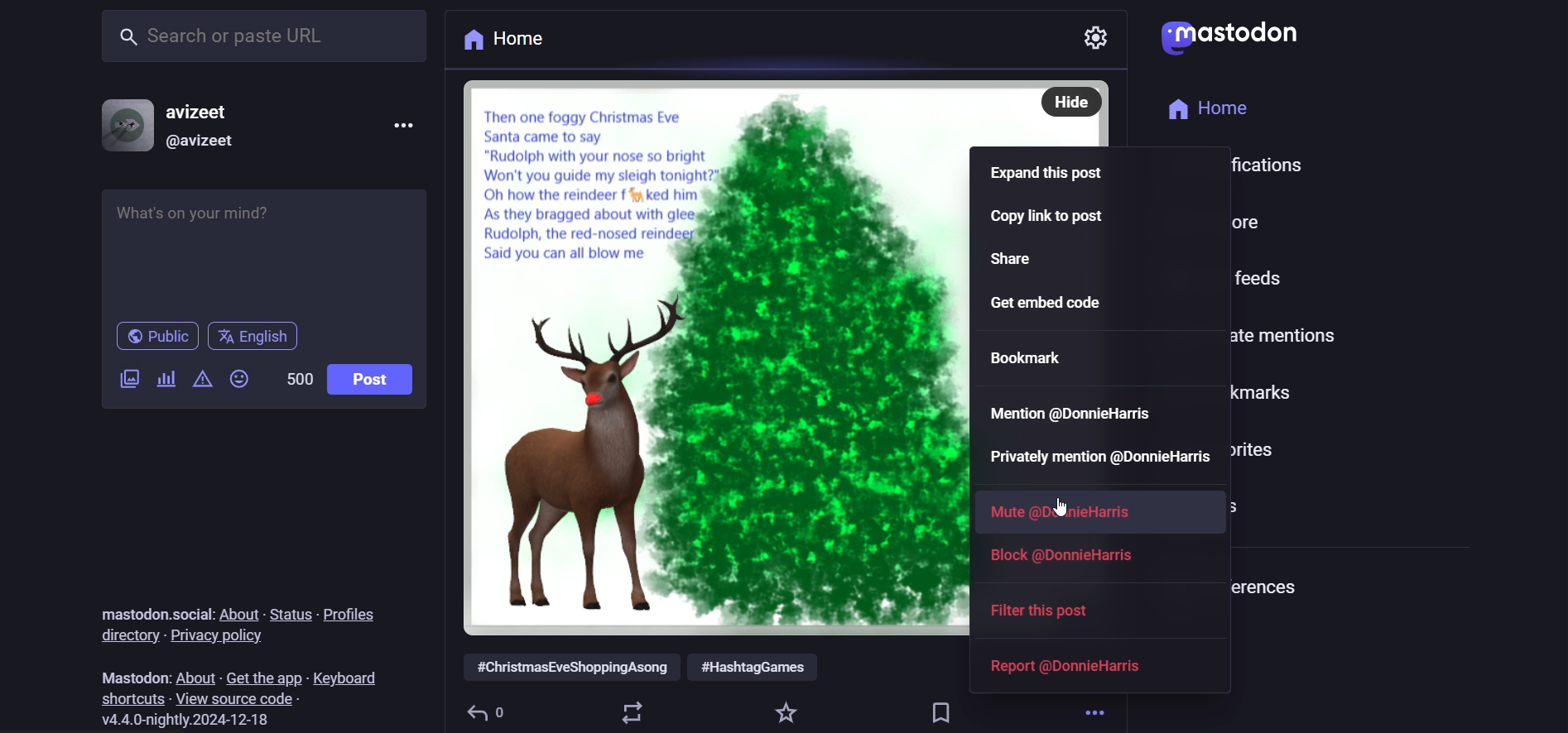 This screenshot has height=733, width=1568. What do you see at coordinates (1047, 172) in the screenshot?
I see `expand this post` at bounding box center [1047, 172].